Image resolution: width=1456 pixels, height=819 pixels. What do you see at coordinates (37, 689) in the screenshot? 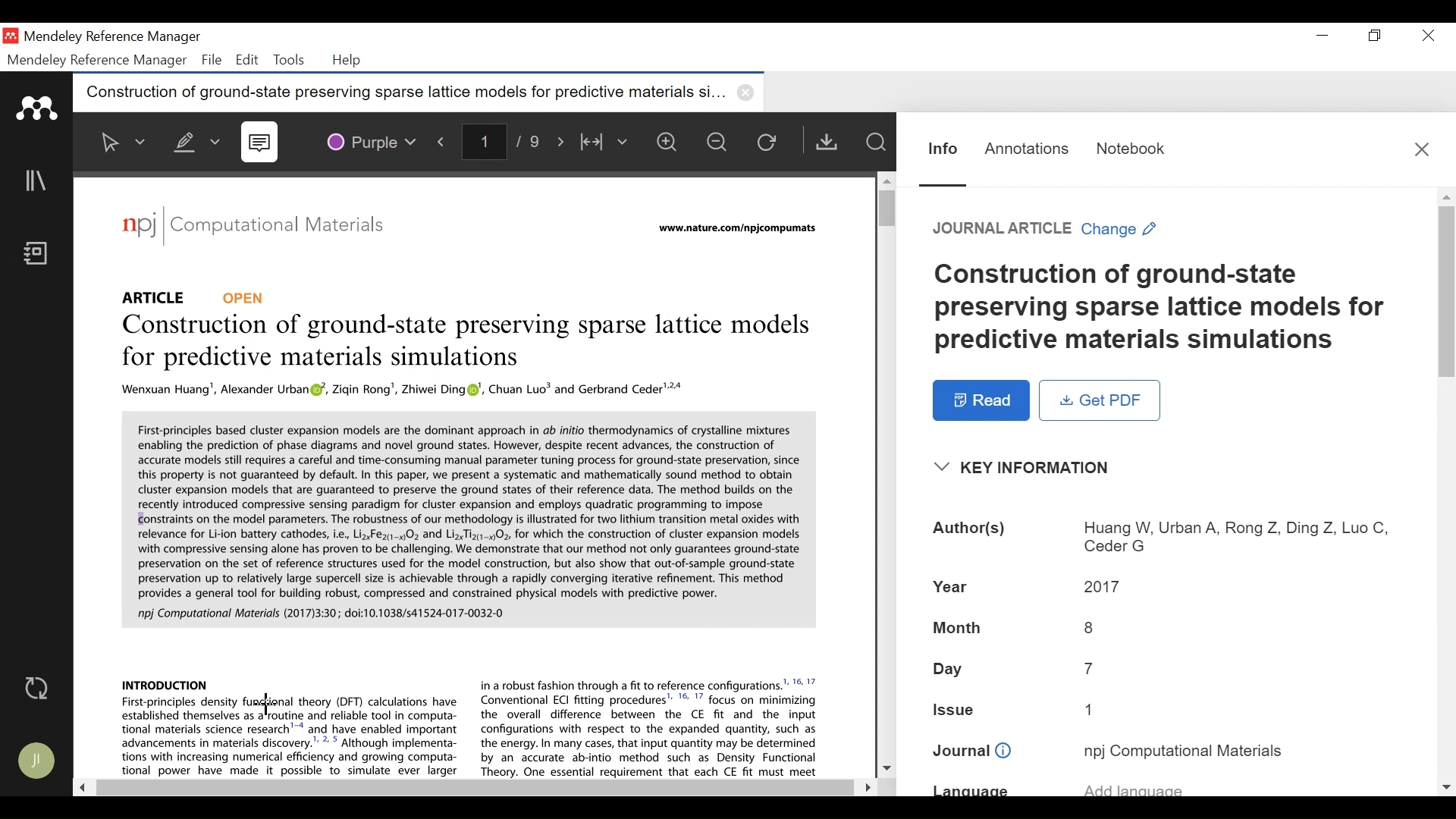
I see `Sync` at bounding box center [37, 689].